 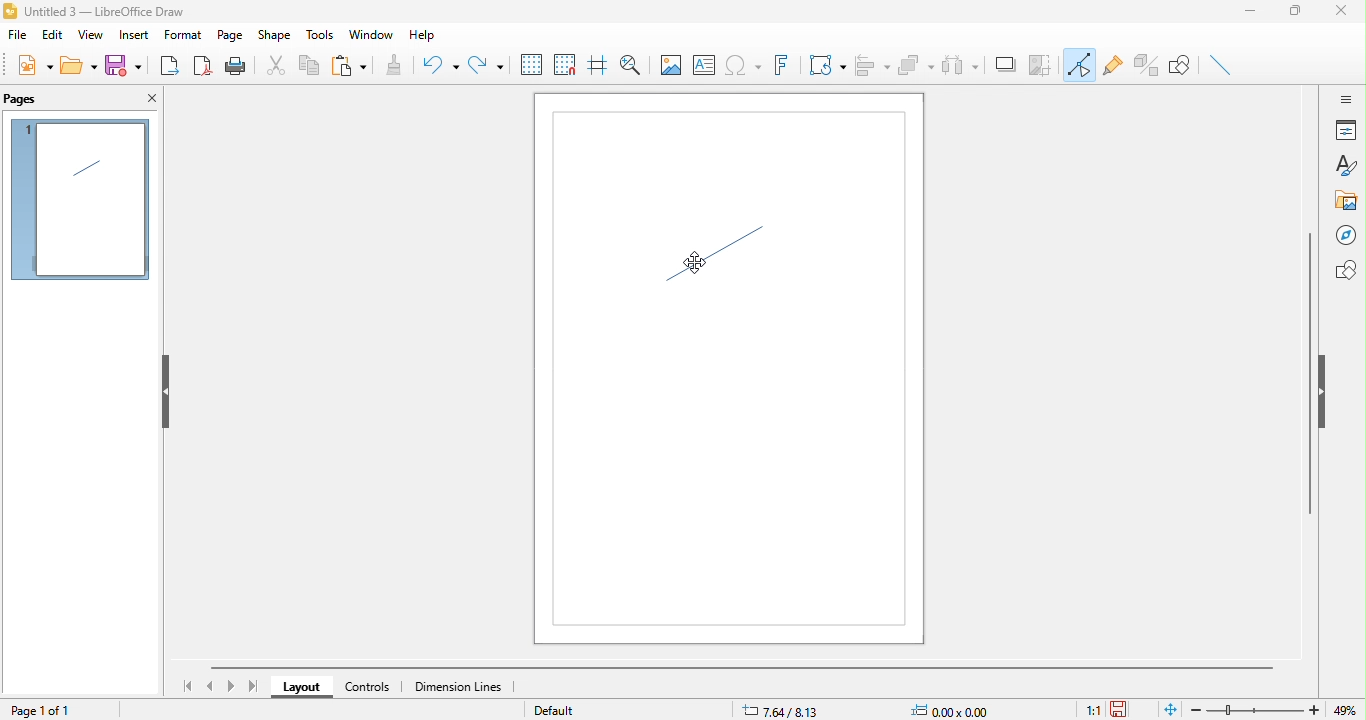 I want to click on gluepoint function, so click(x=1114, y=67).